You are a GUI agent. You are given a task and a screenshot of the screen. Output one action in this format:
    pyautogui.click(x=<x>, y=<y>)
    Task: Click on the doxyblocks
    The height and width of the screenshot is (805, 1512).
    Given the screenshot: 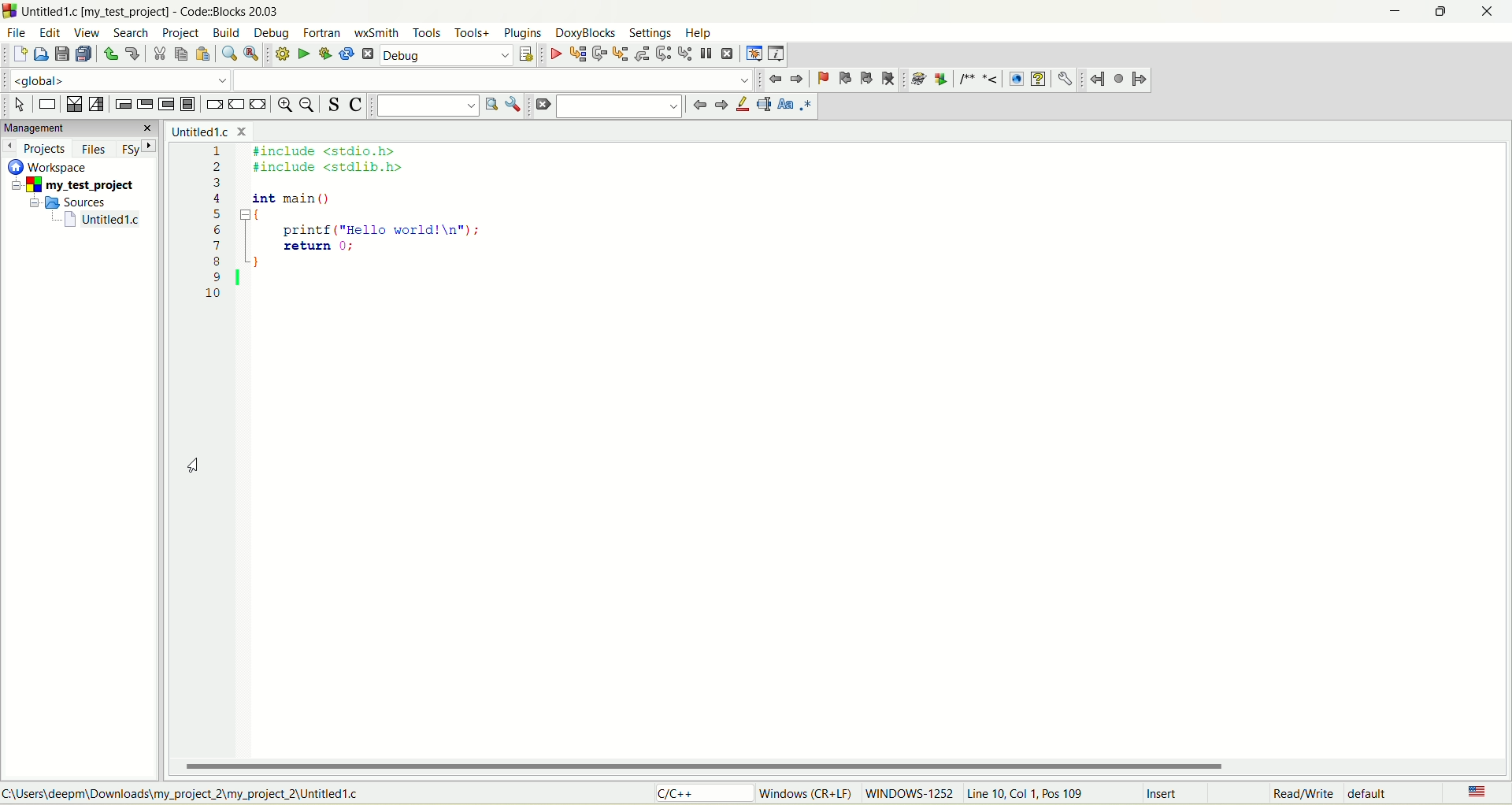 What is the action you would take?
    pyautogui.click(x=584, y=34)
    